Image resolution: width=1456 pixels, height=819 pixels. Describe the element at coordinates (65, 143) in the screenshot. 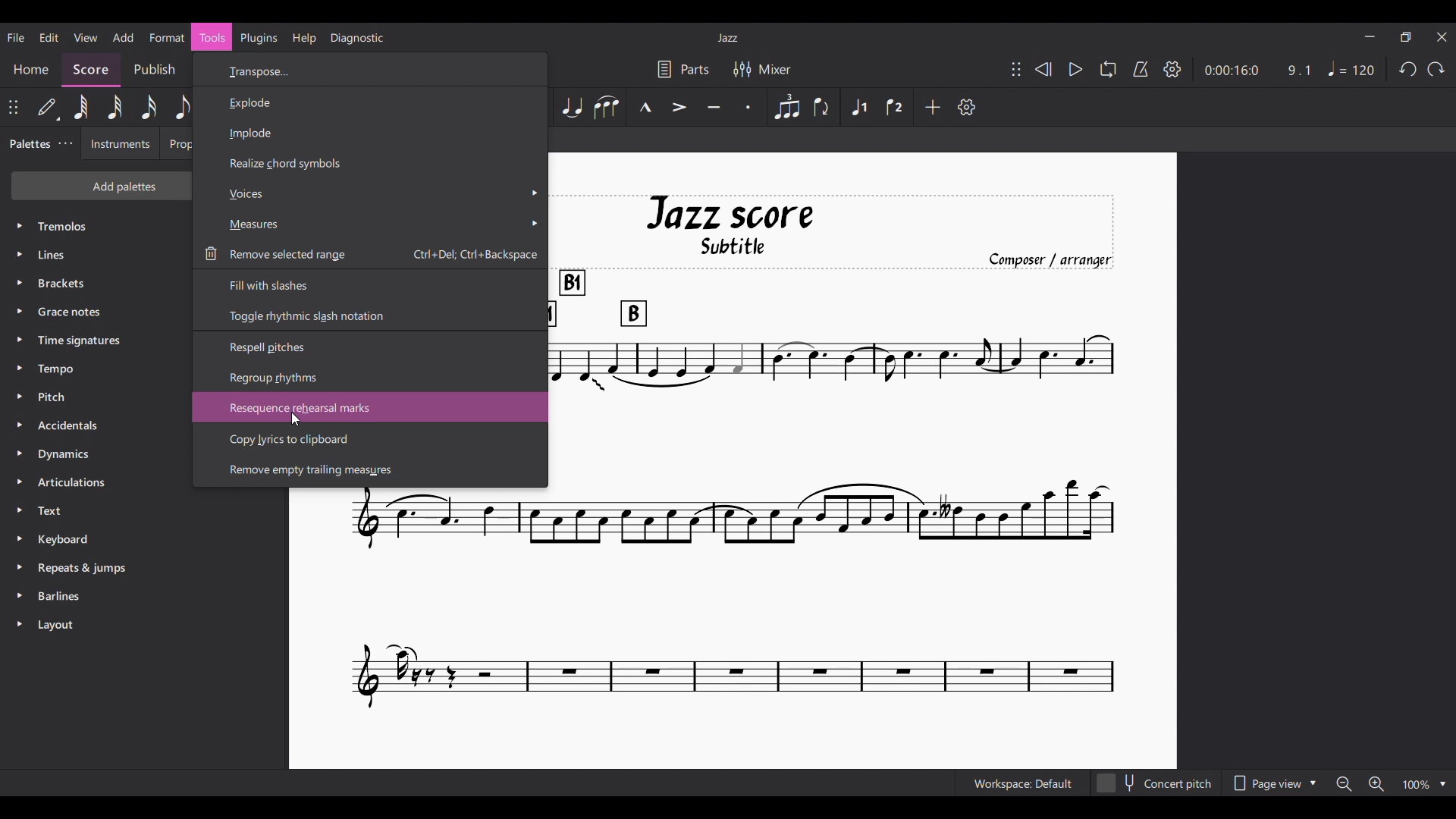

I see `Palette settings` at that location.